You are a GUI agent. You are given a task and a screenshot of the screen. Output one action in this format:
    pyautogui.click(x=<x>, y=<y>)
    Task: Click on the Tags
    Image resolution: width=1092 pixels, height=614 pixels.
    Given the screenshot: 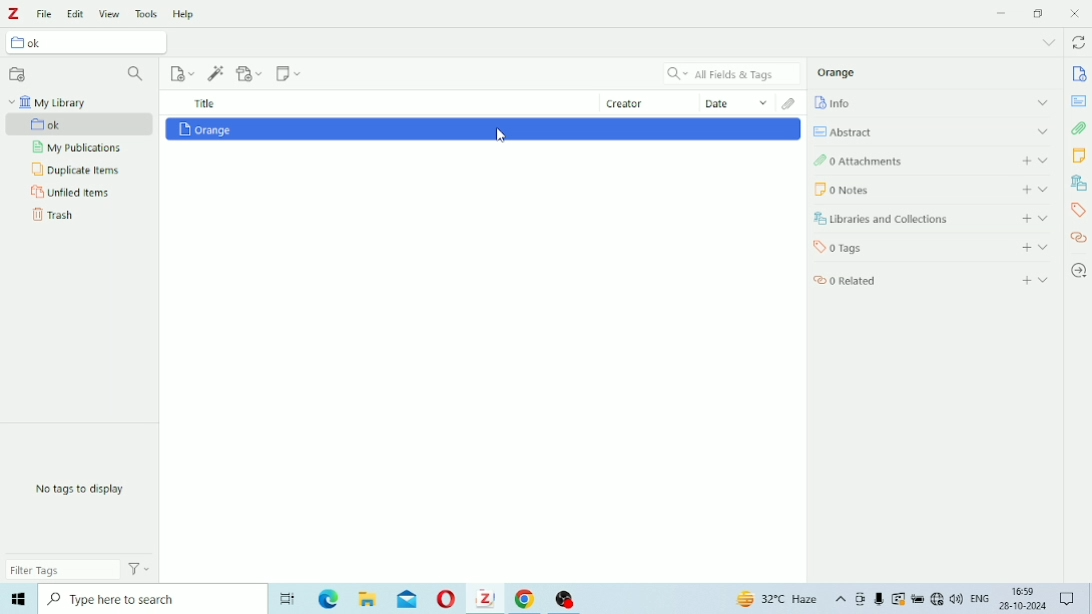 What is the action you would take?
    pyautogui.click(x=932, y=246)
    